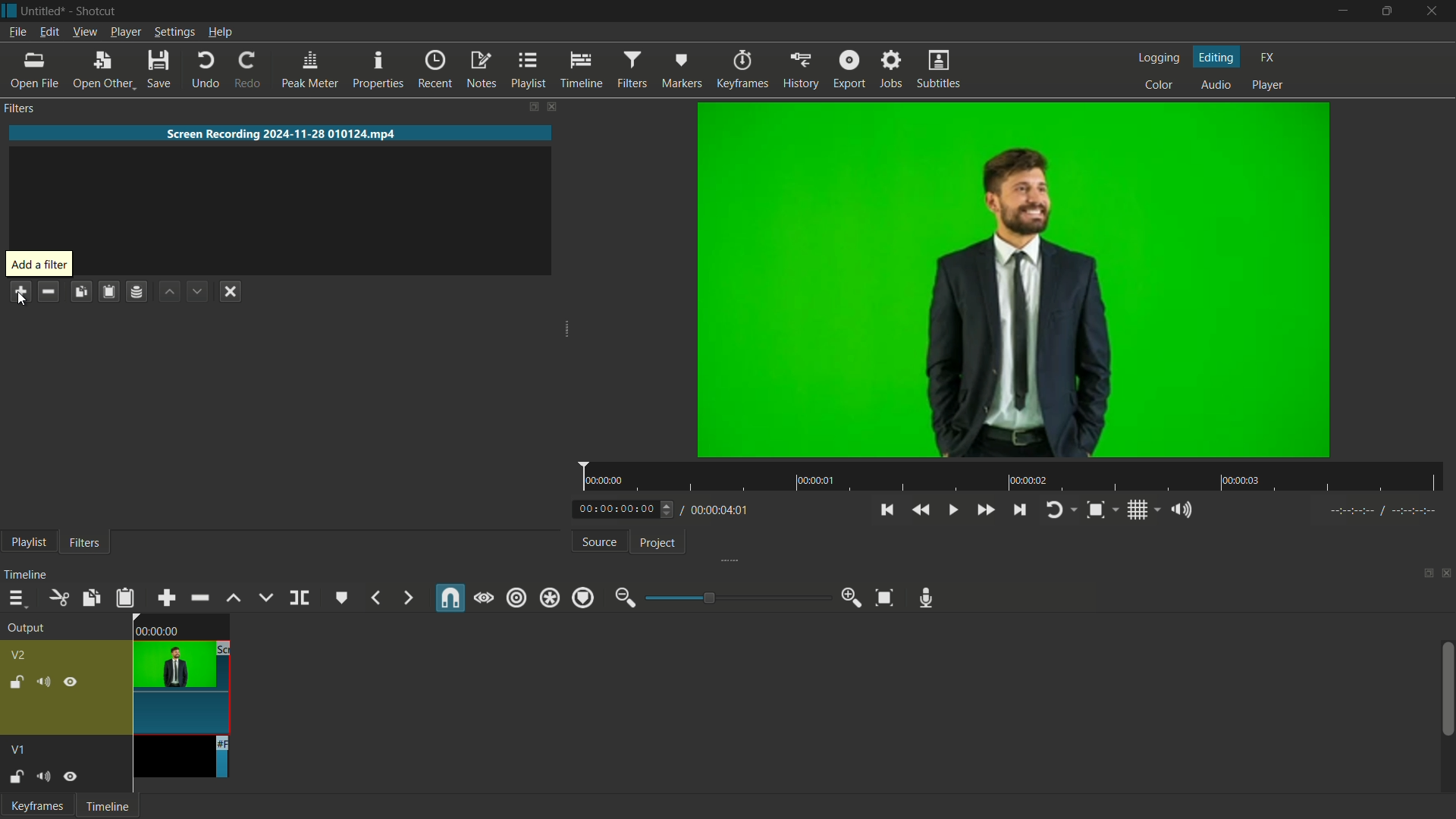  Describe the element at coordinates (16, 778) in the screenshot. I see `lock` at that location.